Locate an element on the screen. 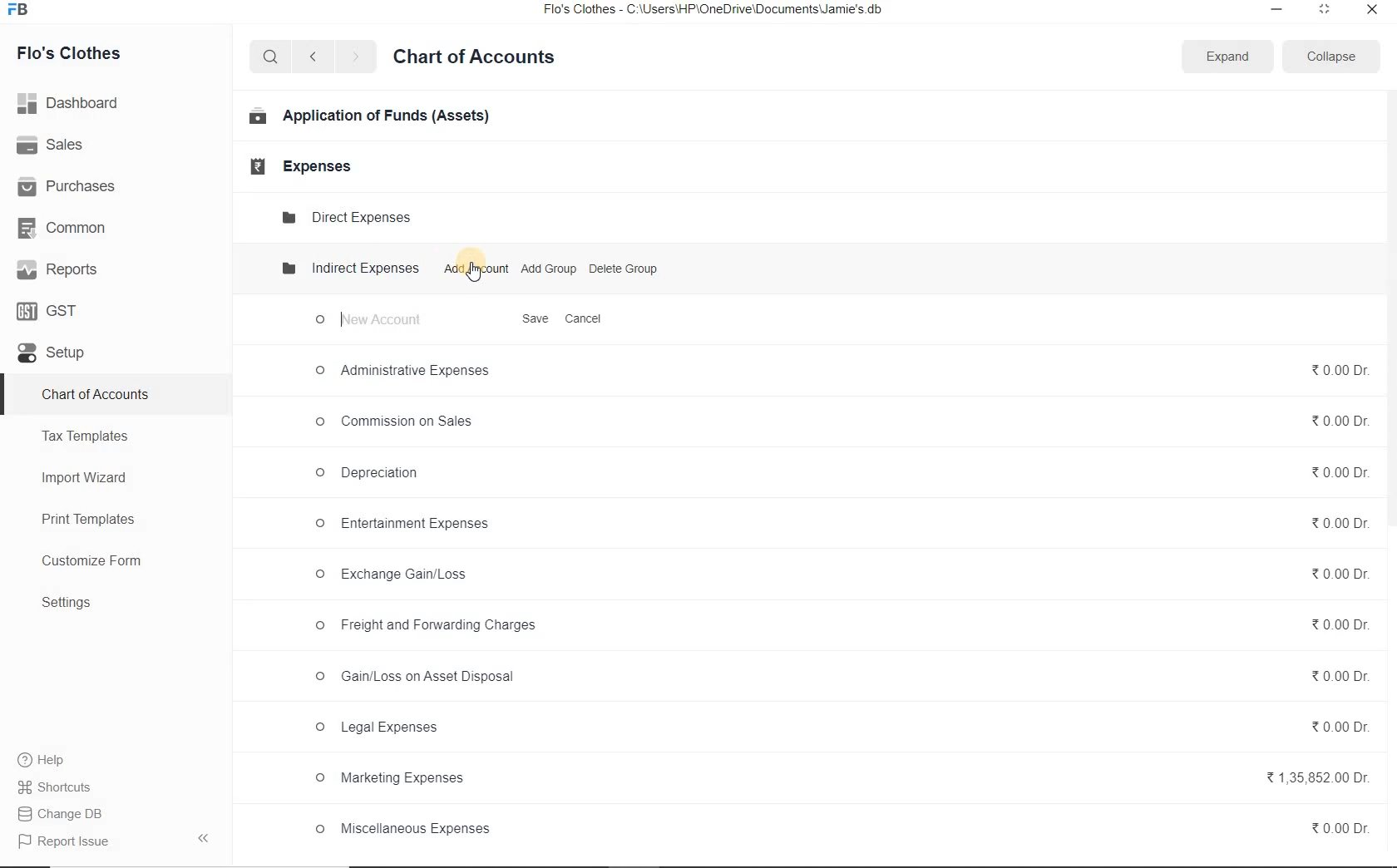 The image size is (1397, 868). Report Issue is located at coordinates (60, 842).